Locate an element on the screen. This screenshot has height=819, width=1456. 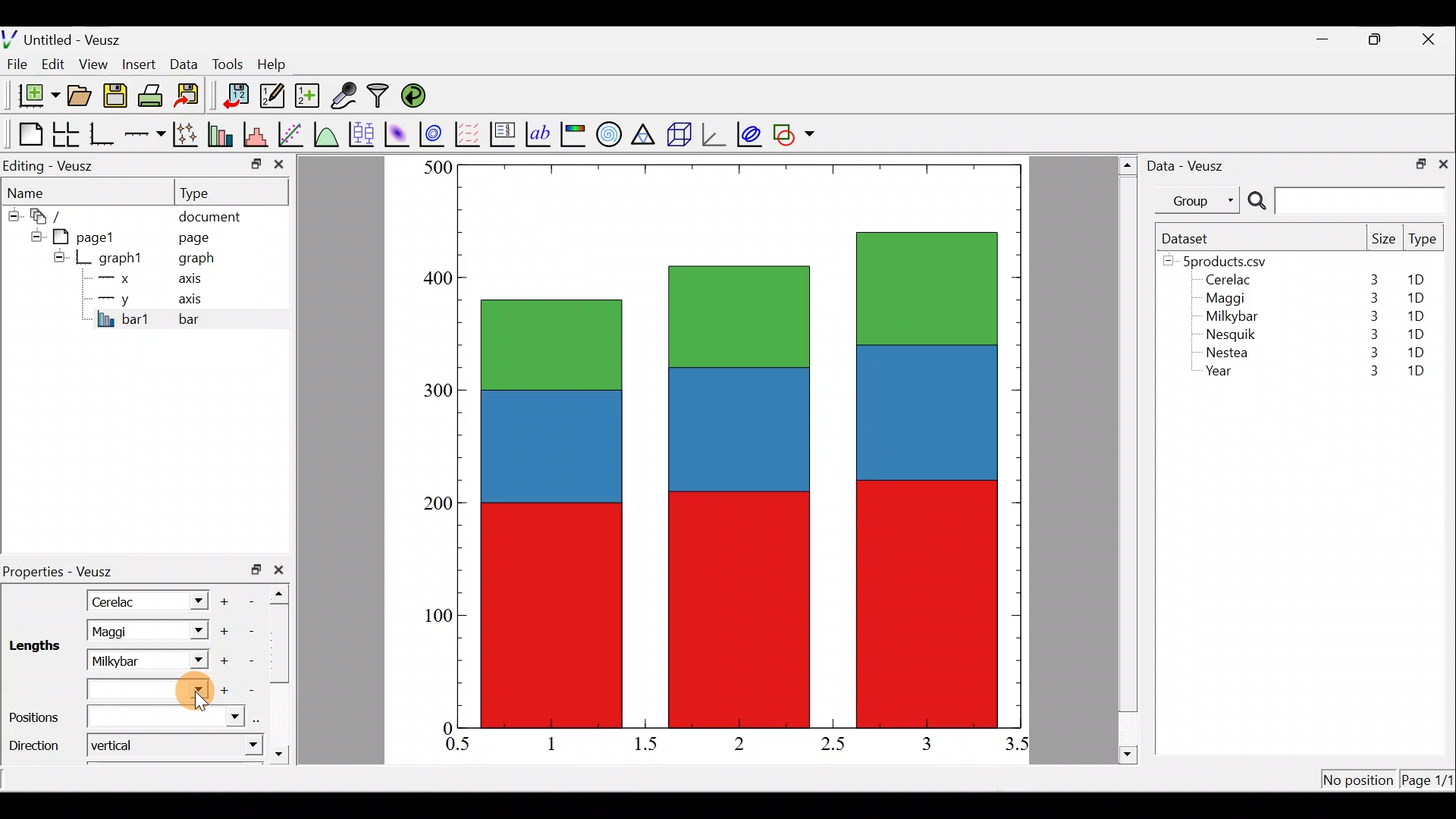
Edit and enter new datasets is located at coordinates (272, 96).